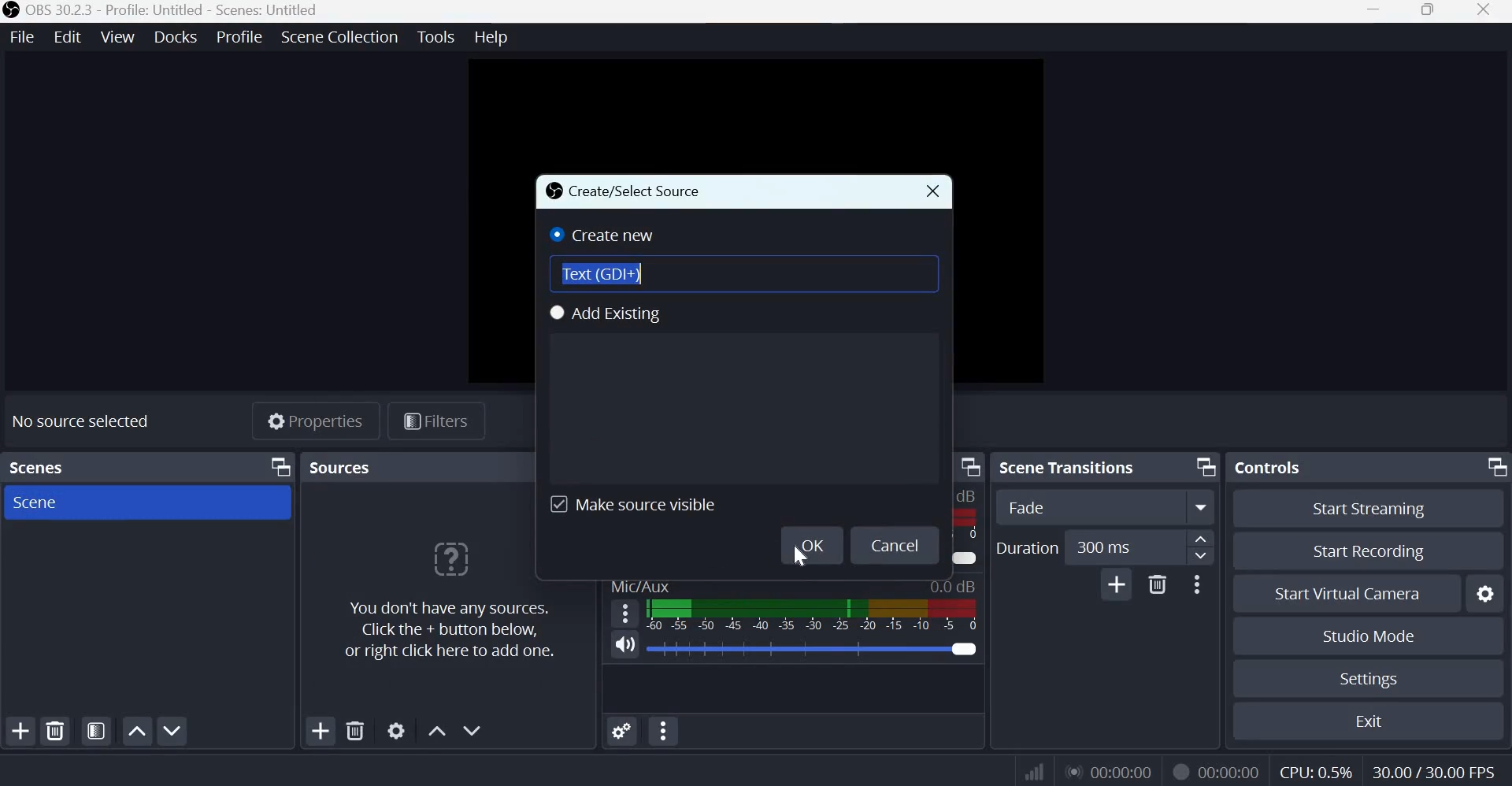 Image resolution: width=1512 pixels, height=786 pixels. What do you see at coordinates (1106, 771) in the screenshot?
I see `00:00:00` at bounding box center [1106, 771].